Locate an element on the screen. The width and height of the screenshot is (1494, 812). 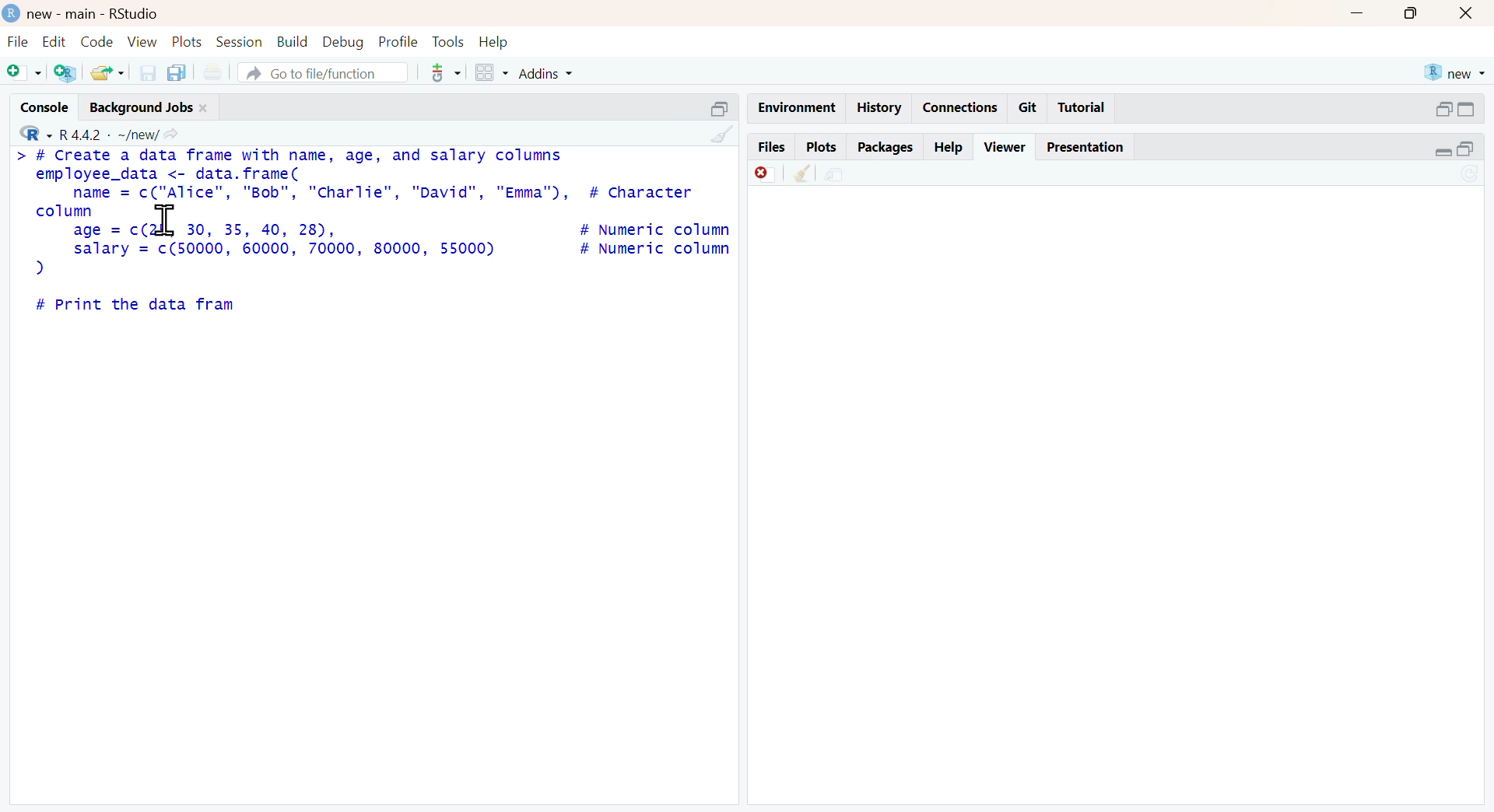
Minimise/Maximize button is located at coordinates (1457, 109).